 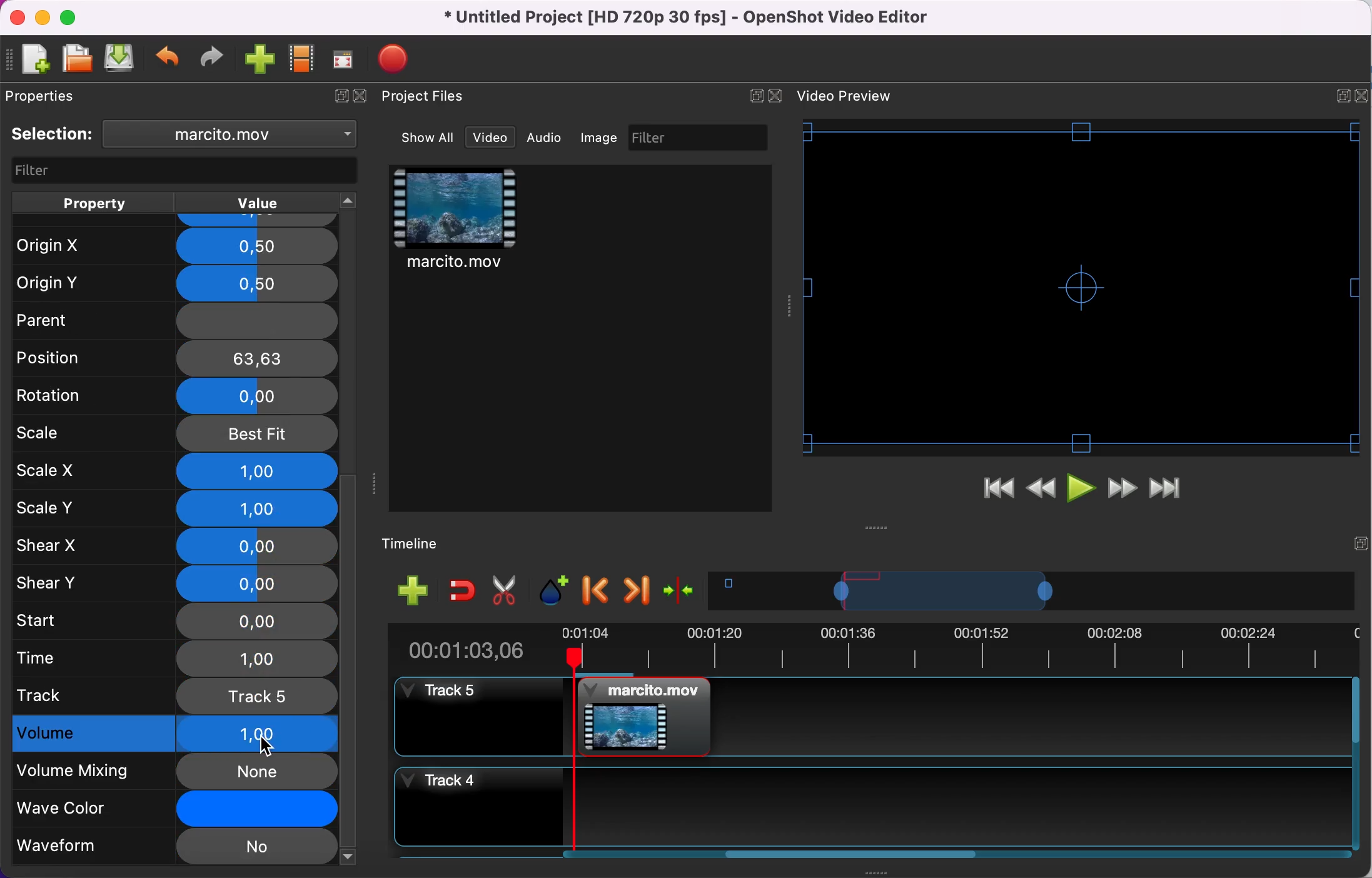 What do you see at coordinates (413, 589) in the screenshot?
I see `add track` at bounding box center [413, 589].